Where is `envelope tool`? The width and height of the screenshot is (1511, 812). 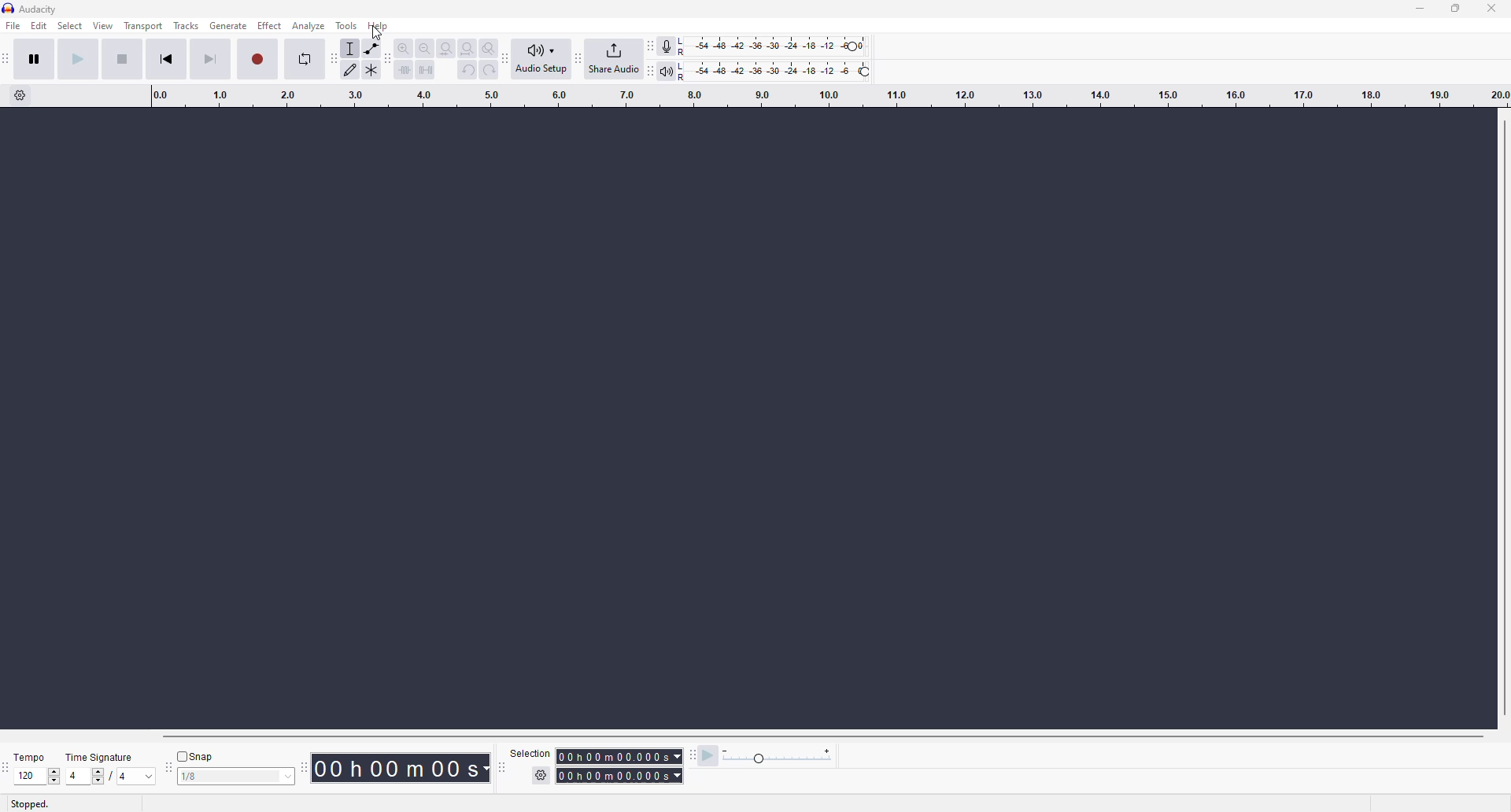 envelope tool is located at coordinates (375, 44).